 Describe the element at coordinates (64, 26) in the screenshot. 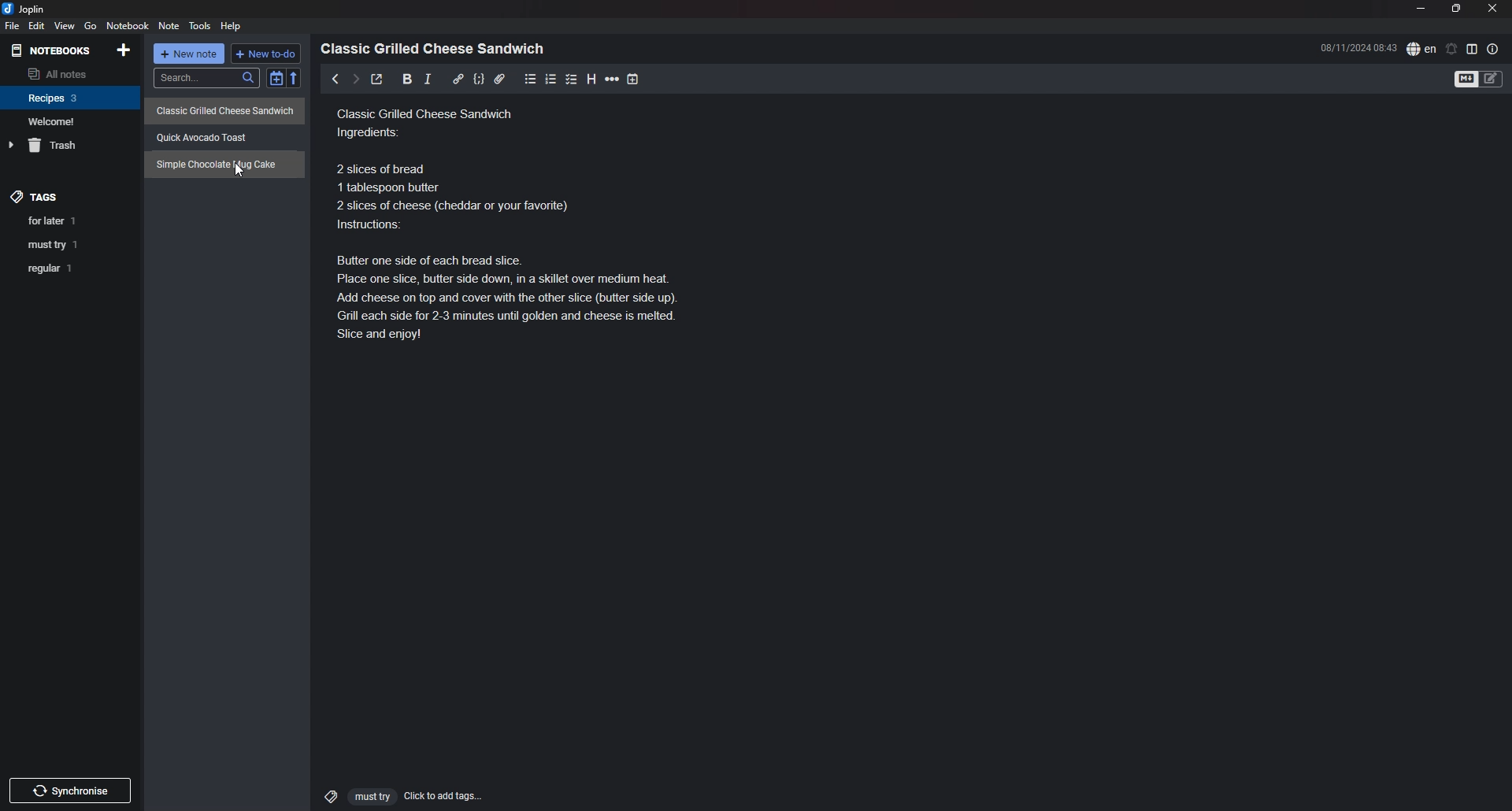

I see `view` at that location.